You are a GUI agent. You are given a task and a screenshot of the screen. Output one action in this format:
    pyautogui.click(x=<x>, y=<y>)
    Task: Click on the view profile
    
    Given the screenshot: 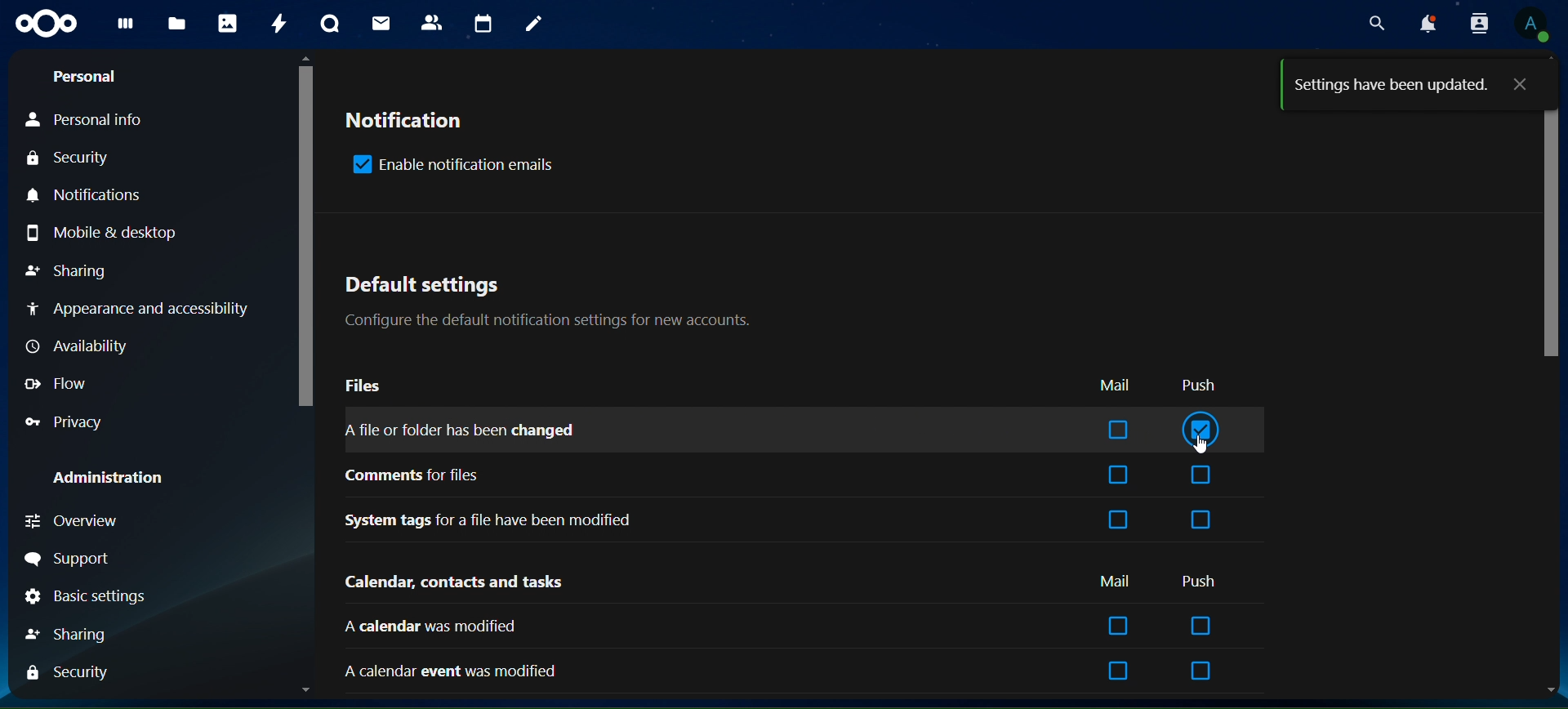 What is the action you would take?
    pyautogui.click(x=1530, y=25)
    